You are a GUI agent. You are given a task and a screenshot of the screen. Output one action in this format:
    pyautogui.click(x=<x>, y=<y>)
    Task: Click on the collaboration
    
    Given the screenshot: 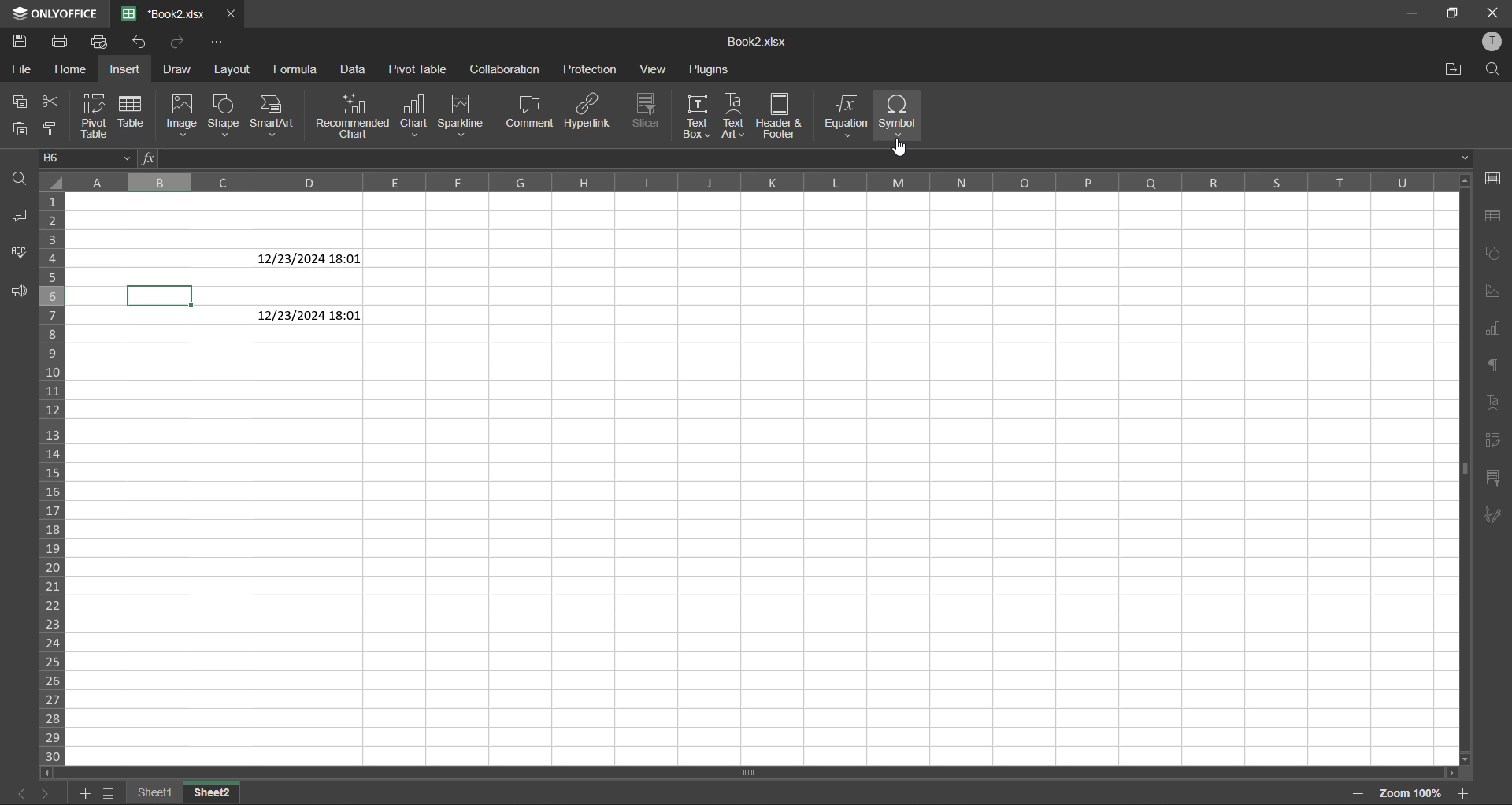 What is the action you would take?
    pyautogui.click(x=506, y=69)
    